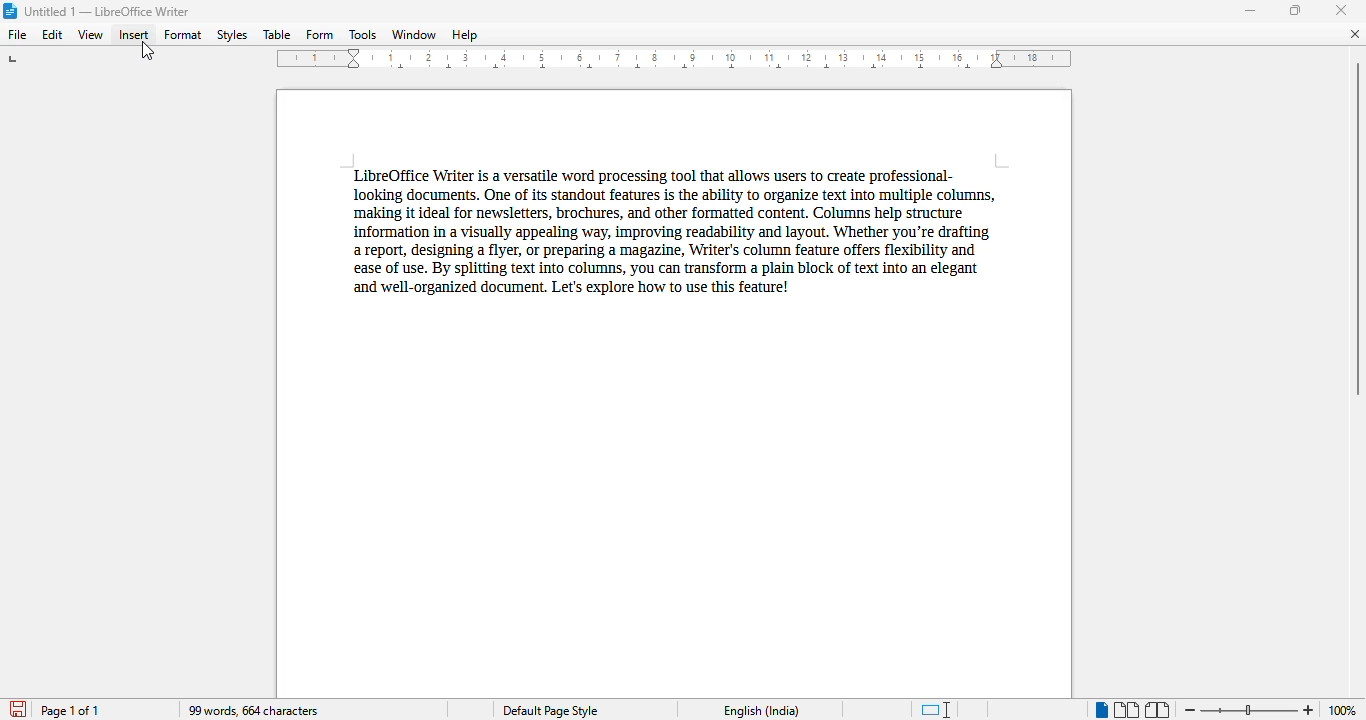 The width and height of the screenshot is (1366, 720). Describe the element at coordinates (1308, 710) in the screenshot. I see `zoom in` at that location.